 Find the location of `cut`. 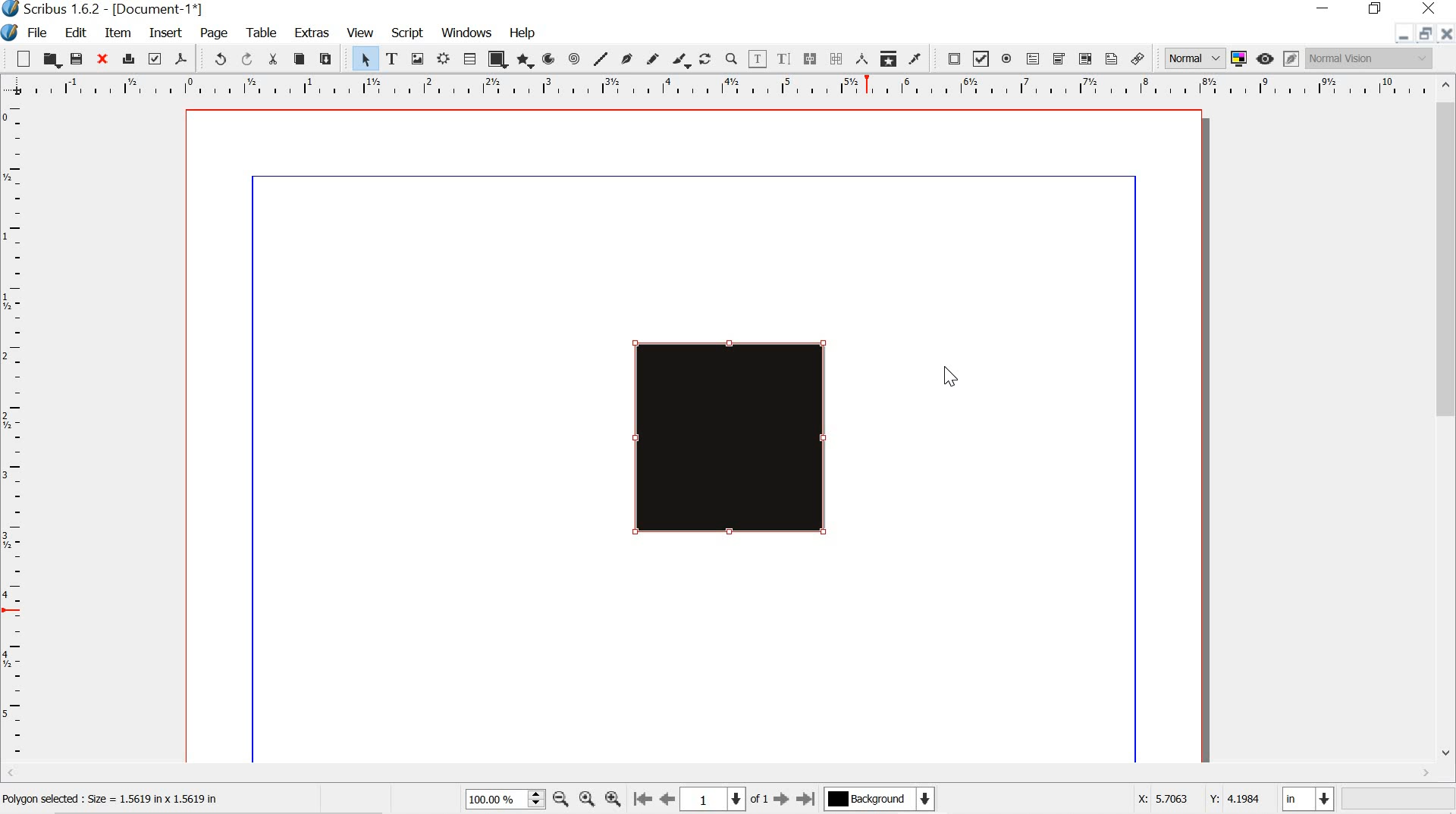

cut is located at coordinates (275, 59).